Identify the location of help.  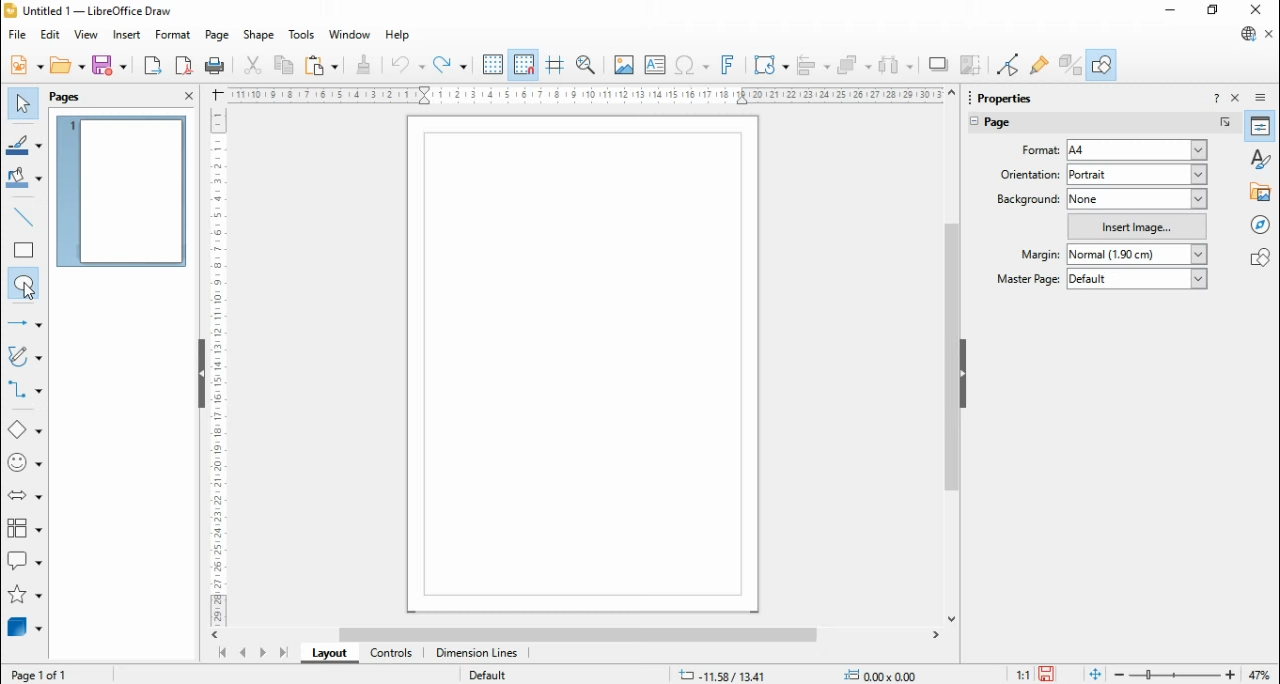
(398, 36).